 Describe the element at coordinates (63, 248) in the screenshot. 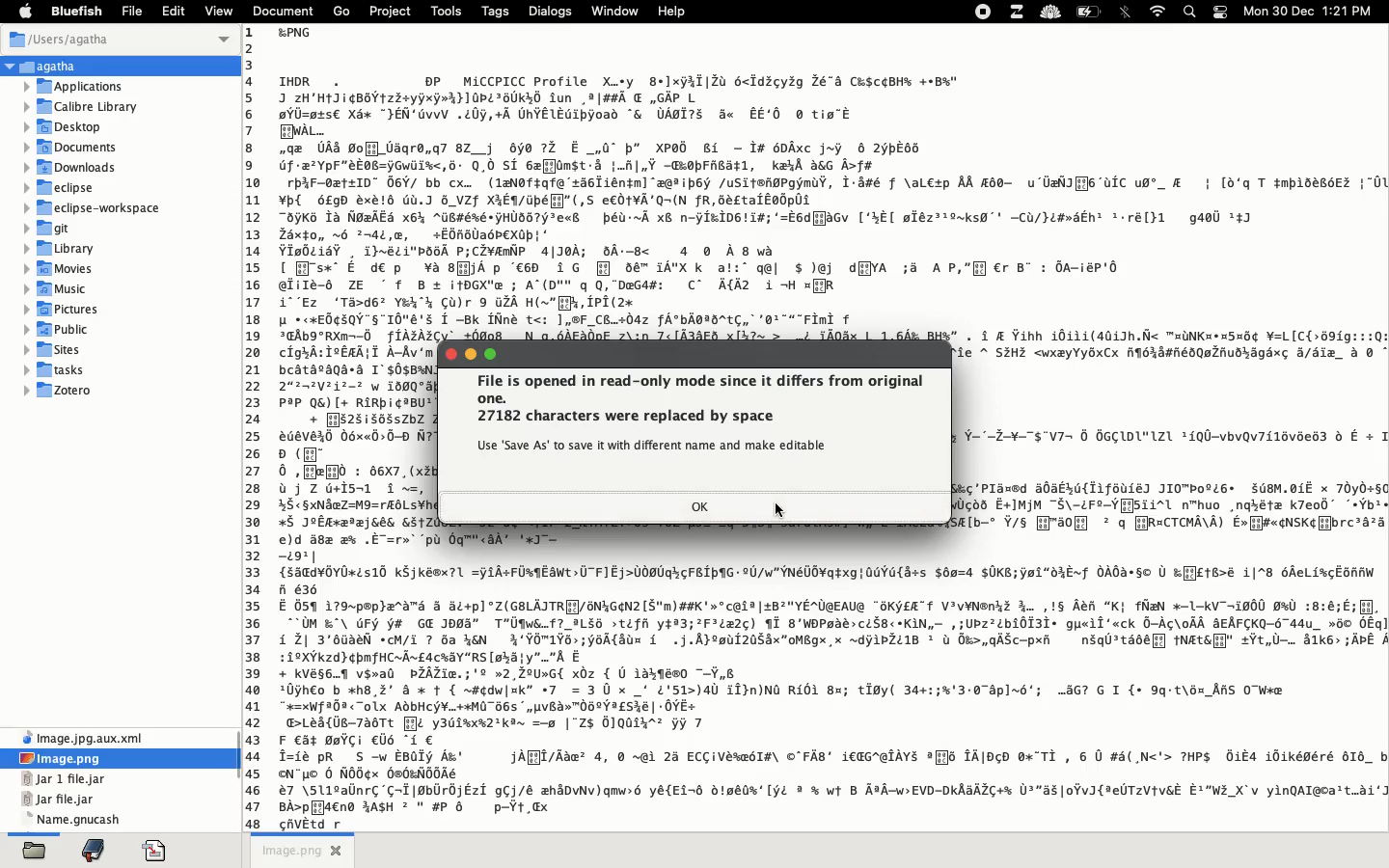

I see `library` at that location.